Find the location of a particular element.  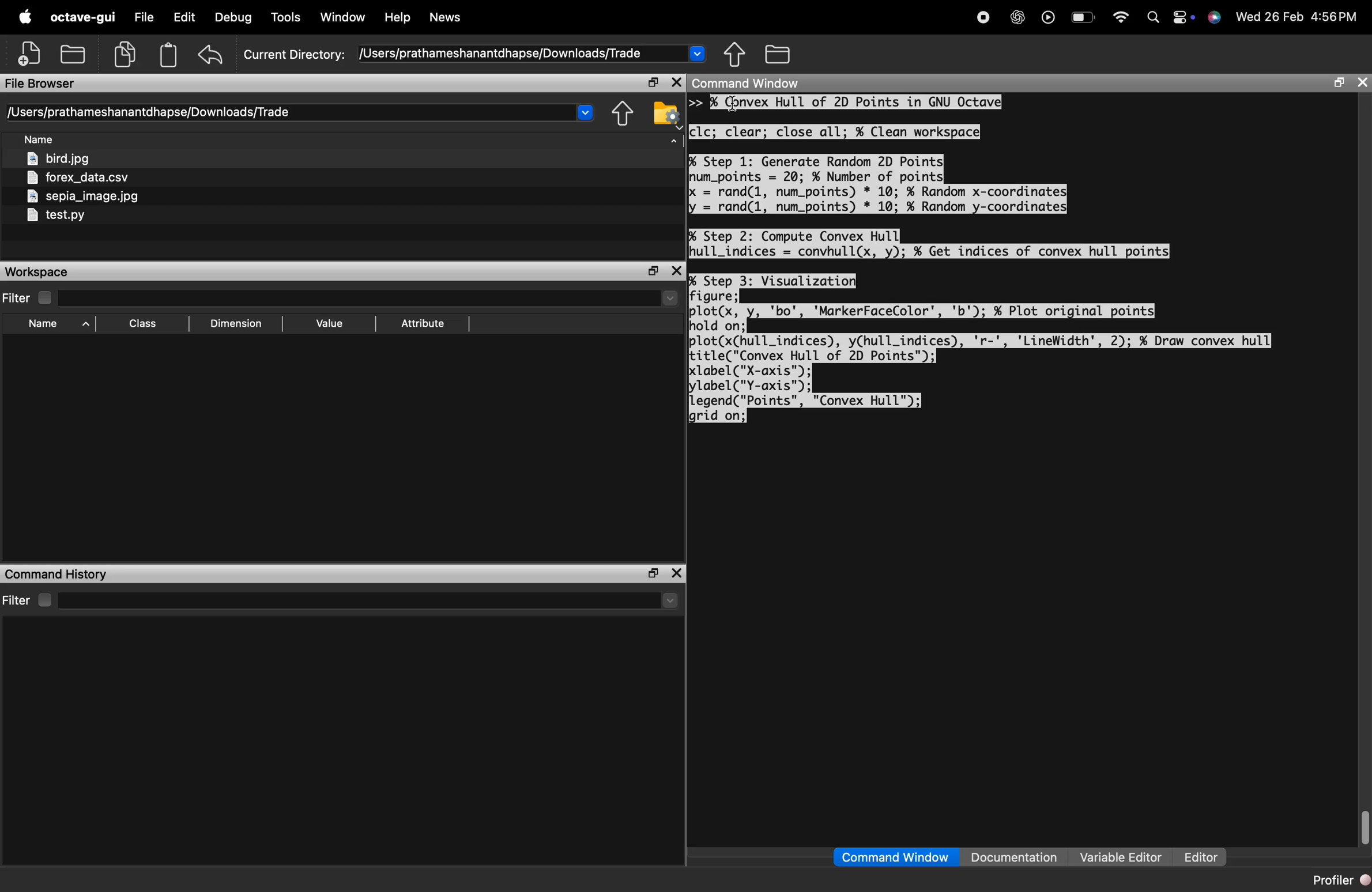

octave-gui is located at coordinates (84, 17).